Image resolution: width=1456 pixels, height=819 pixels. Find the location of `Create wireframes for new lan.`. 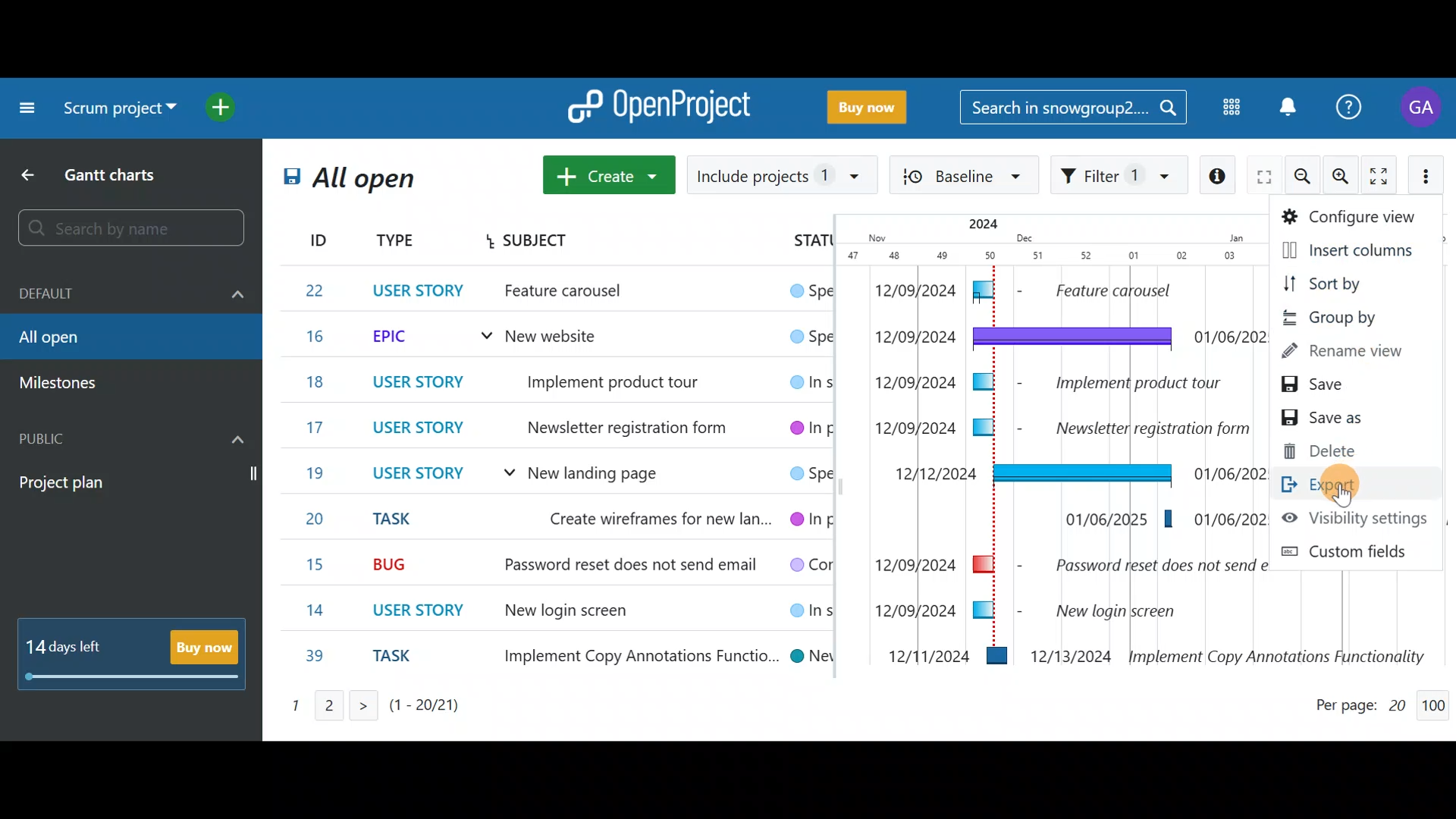

Create wireframes for new lan. is located at coordinates (646, 520).